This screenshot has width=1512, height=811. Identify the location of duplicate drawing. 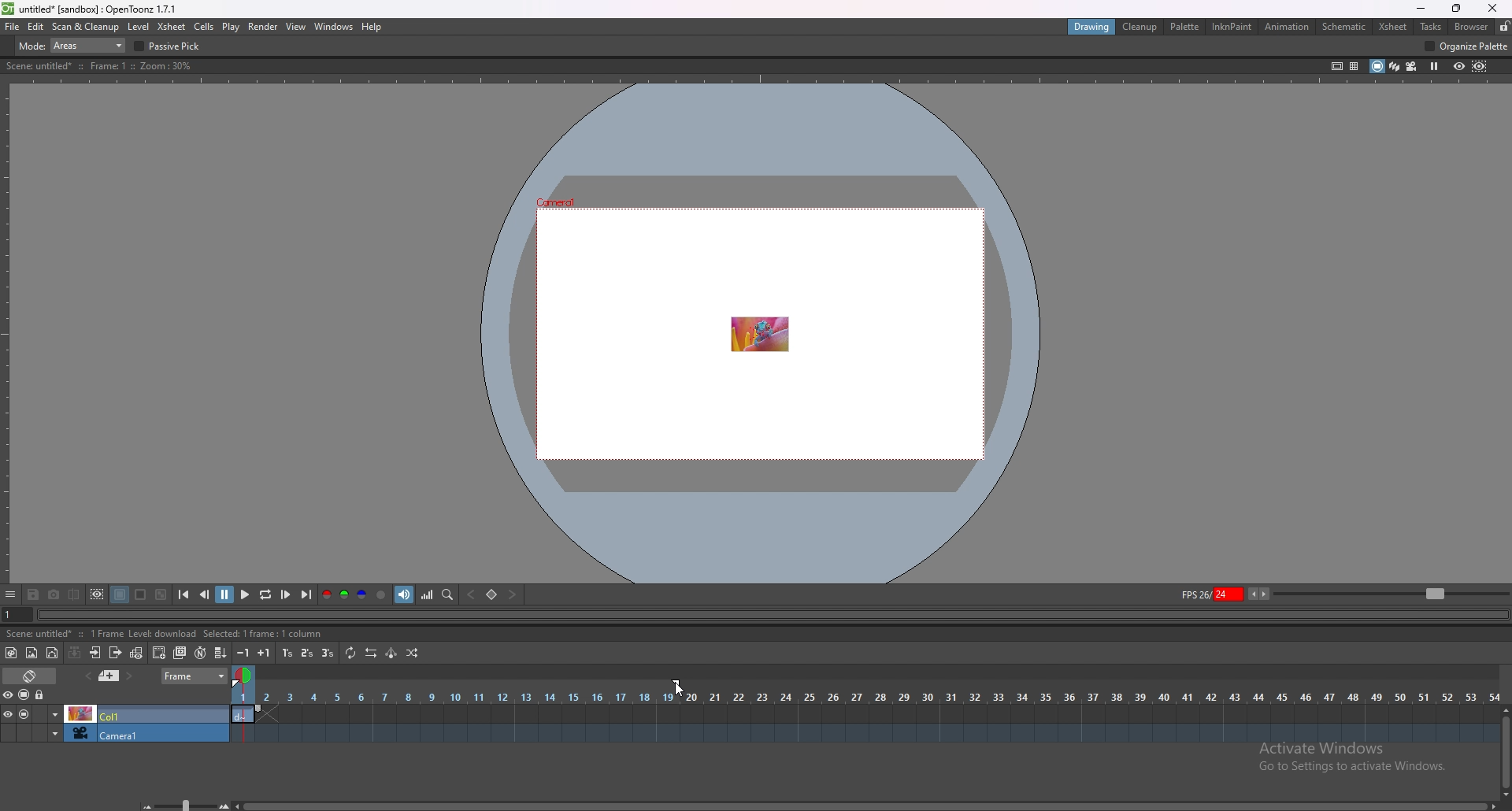
(180, 653).